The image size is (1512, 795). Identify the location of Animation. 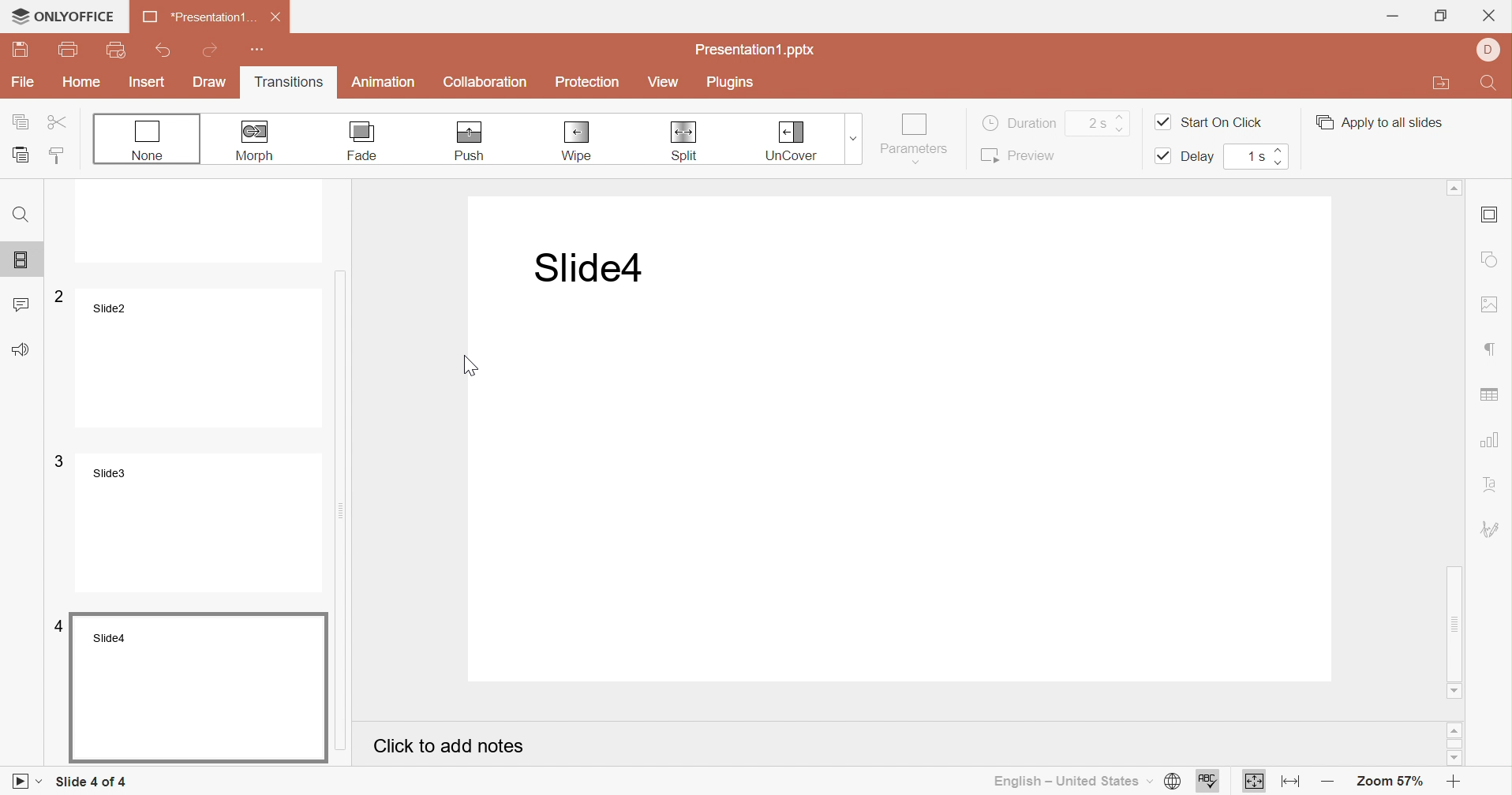
(384, 82).